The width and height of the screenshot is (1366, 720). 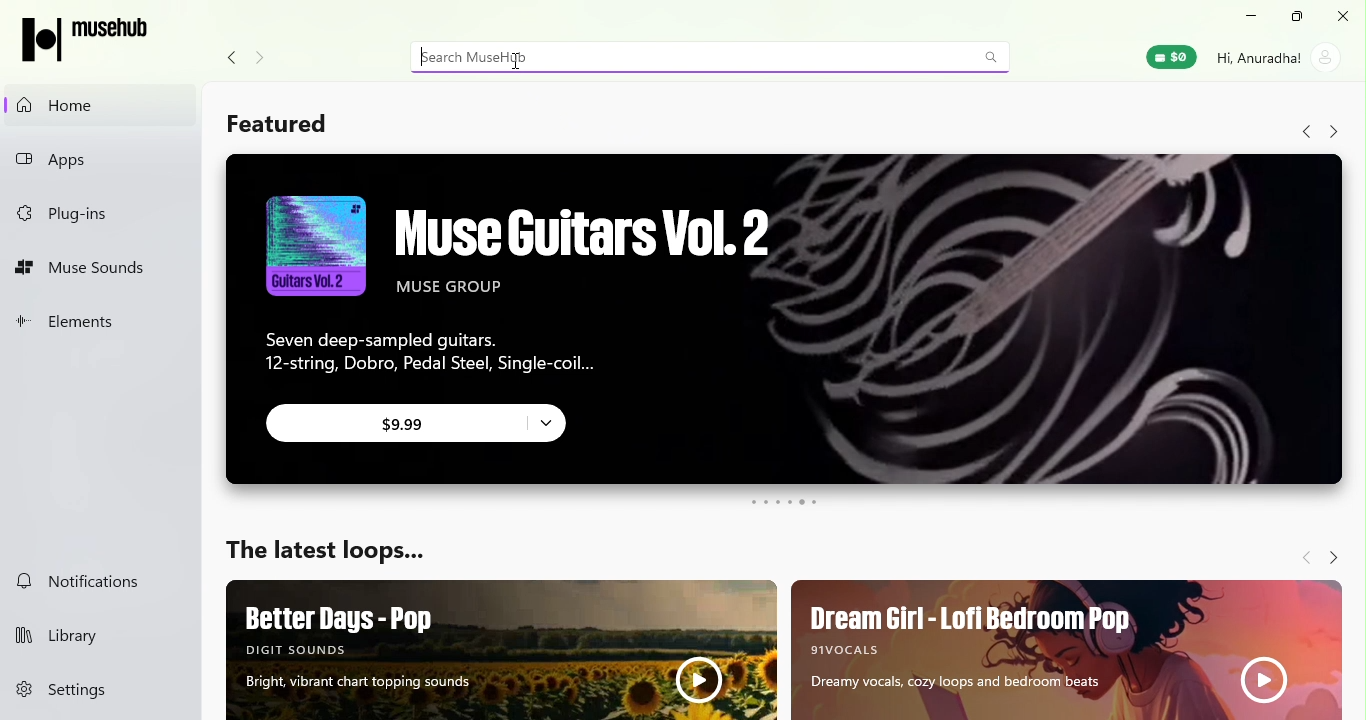 What do you see at coordinates (89, 579) in the screenshot?
I see `Notifications` at bounding box center [89, 579].